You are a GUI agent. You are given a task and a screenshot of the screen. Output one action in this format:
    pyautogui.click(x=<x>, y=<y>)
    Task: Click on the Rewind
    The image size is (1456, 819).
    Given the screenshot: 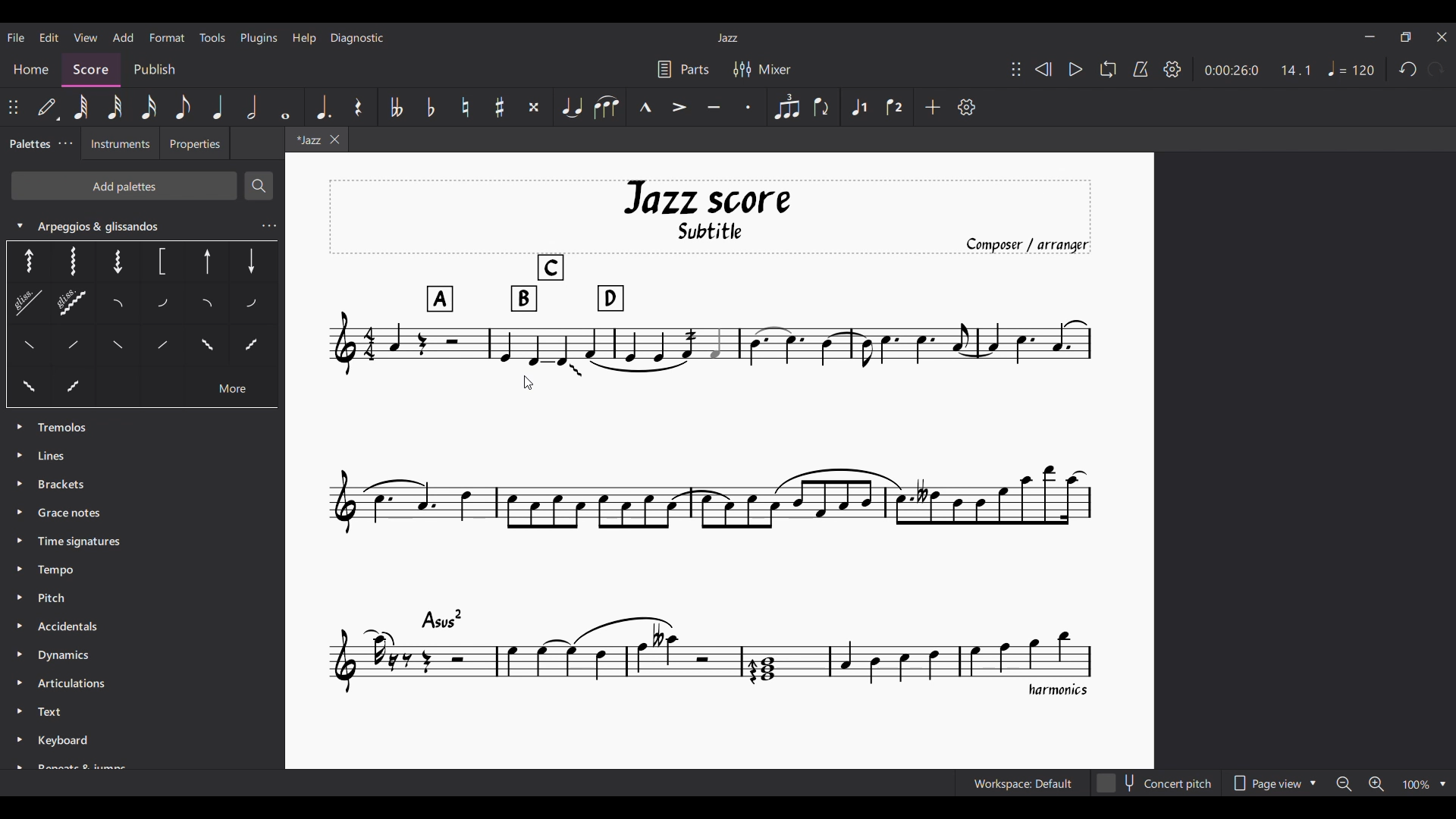 What is the action you would take?
    pyautogui.click(x=1043, y=69)
    